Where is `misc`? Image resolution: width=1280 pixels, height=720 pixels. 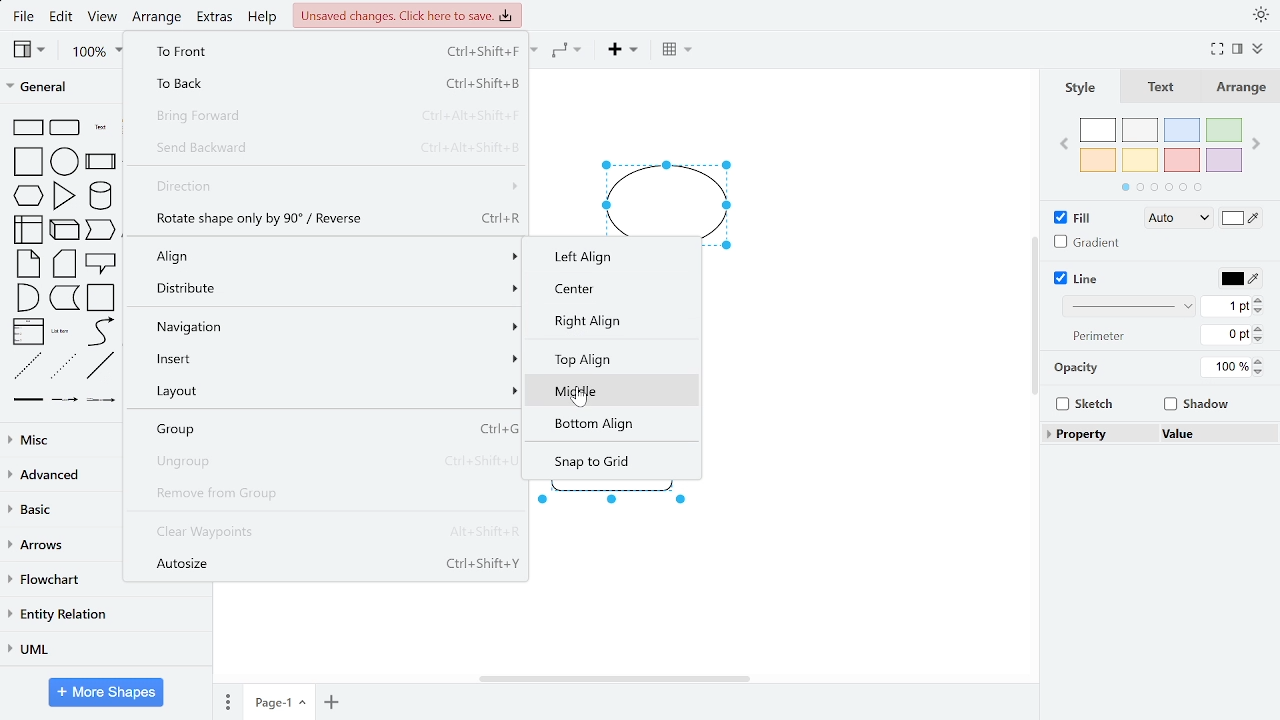 misc is located at coordinates (59, 440).